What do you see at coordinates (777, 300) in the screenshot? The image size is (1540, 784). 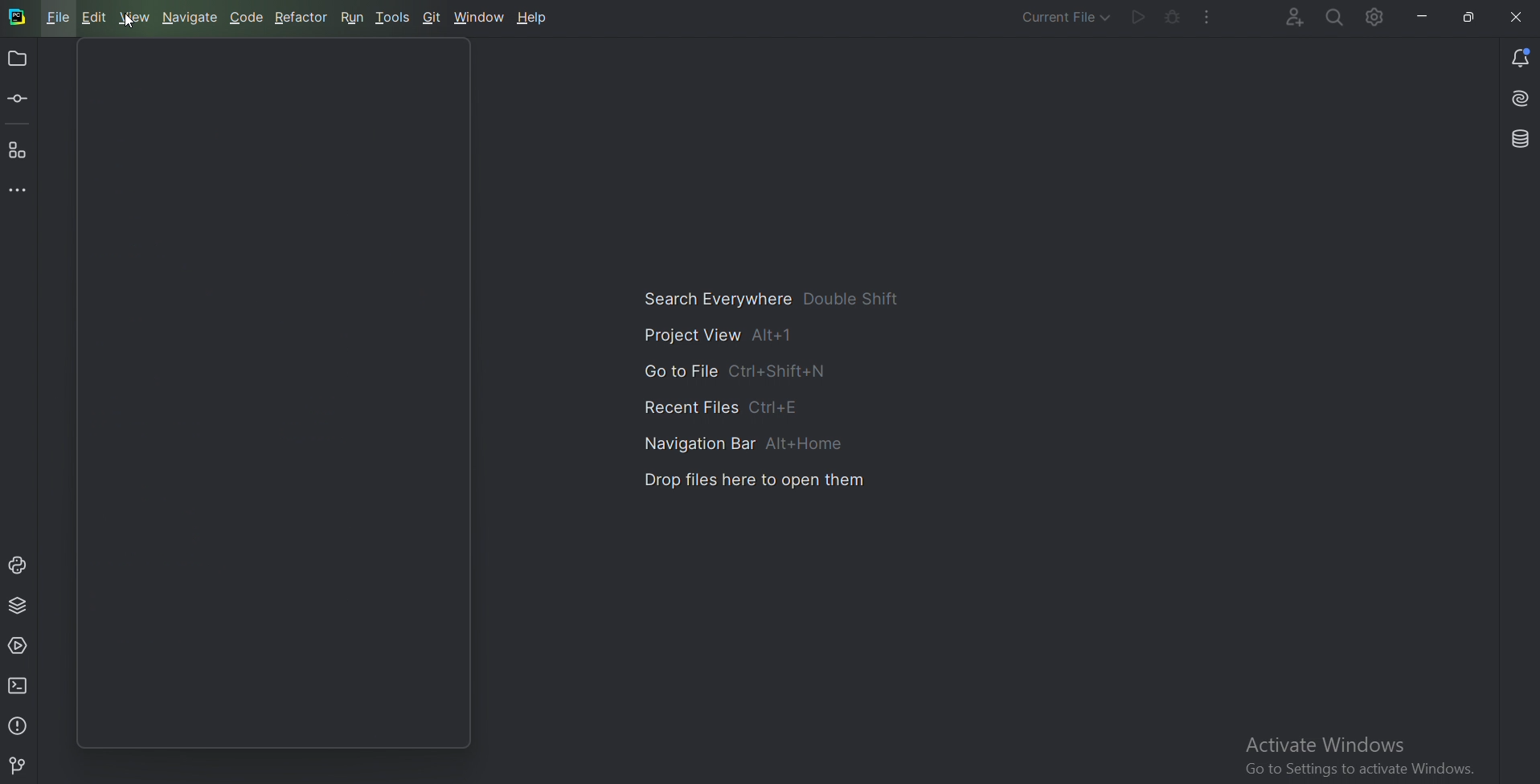 I see `Search Everywhere` at bounding box center [777, 300].